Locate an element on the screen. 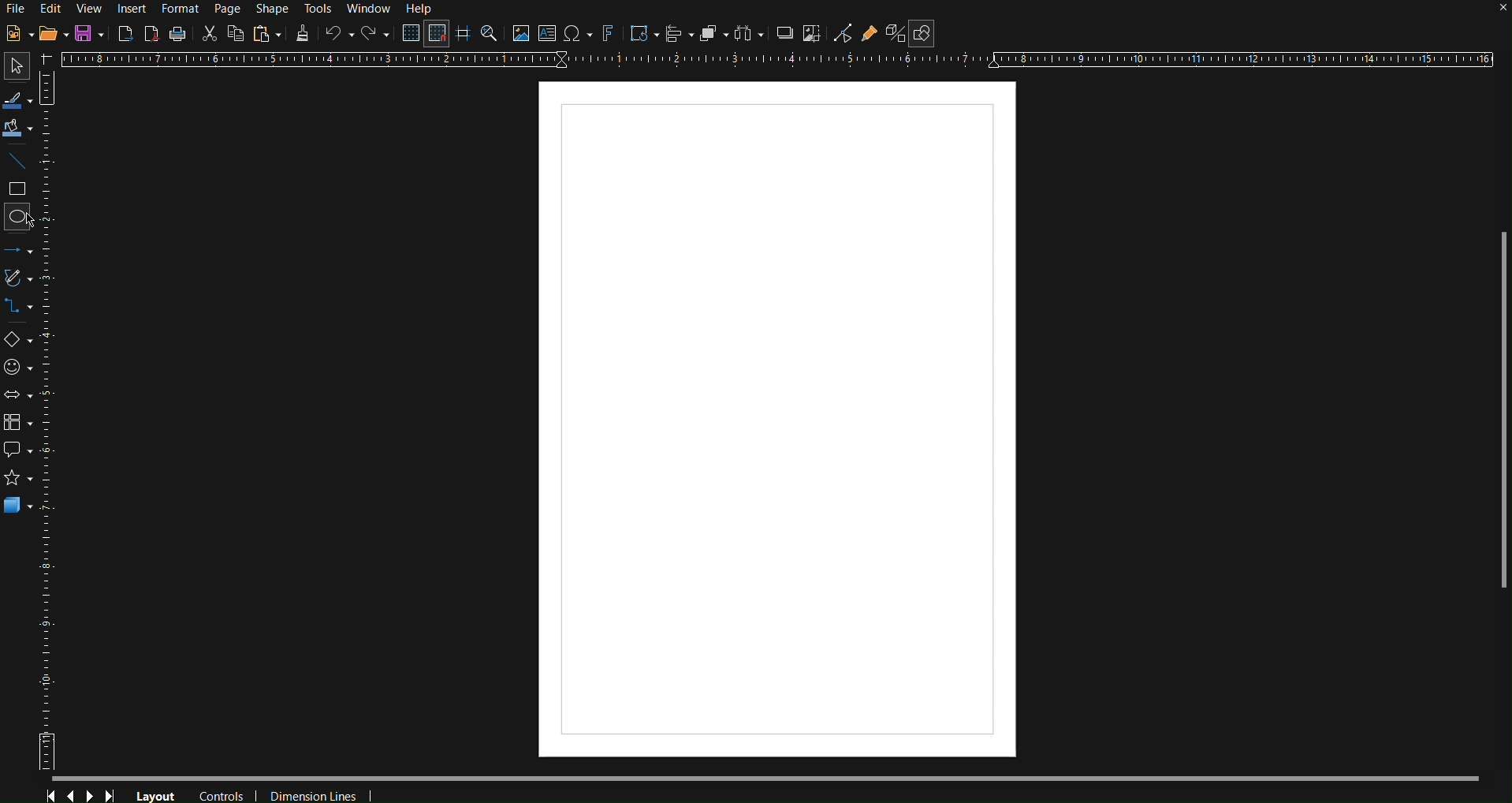 The image size is (1512, 803). Horizontal Ruler is located at coordinates (776, 60).